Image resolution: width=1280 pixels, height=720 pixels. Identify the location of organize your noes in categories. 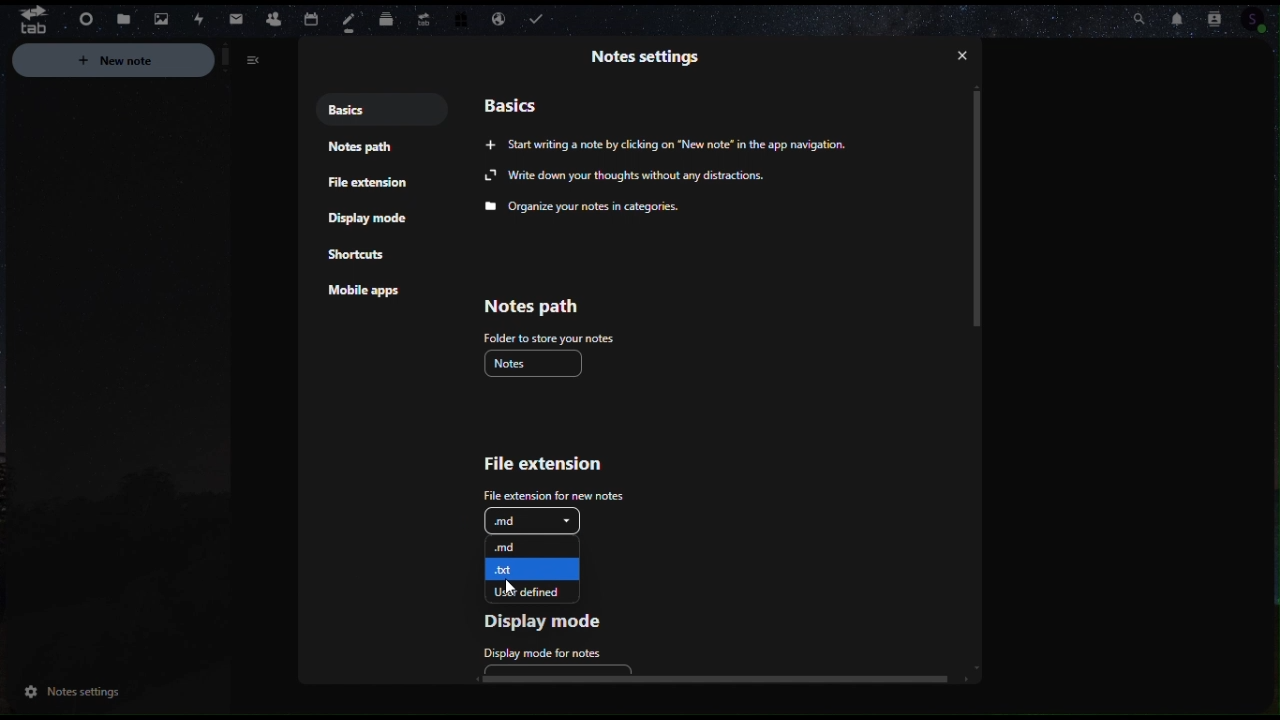
(588, 207).